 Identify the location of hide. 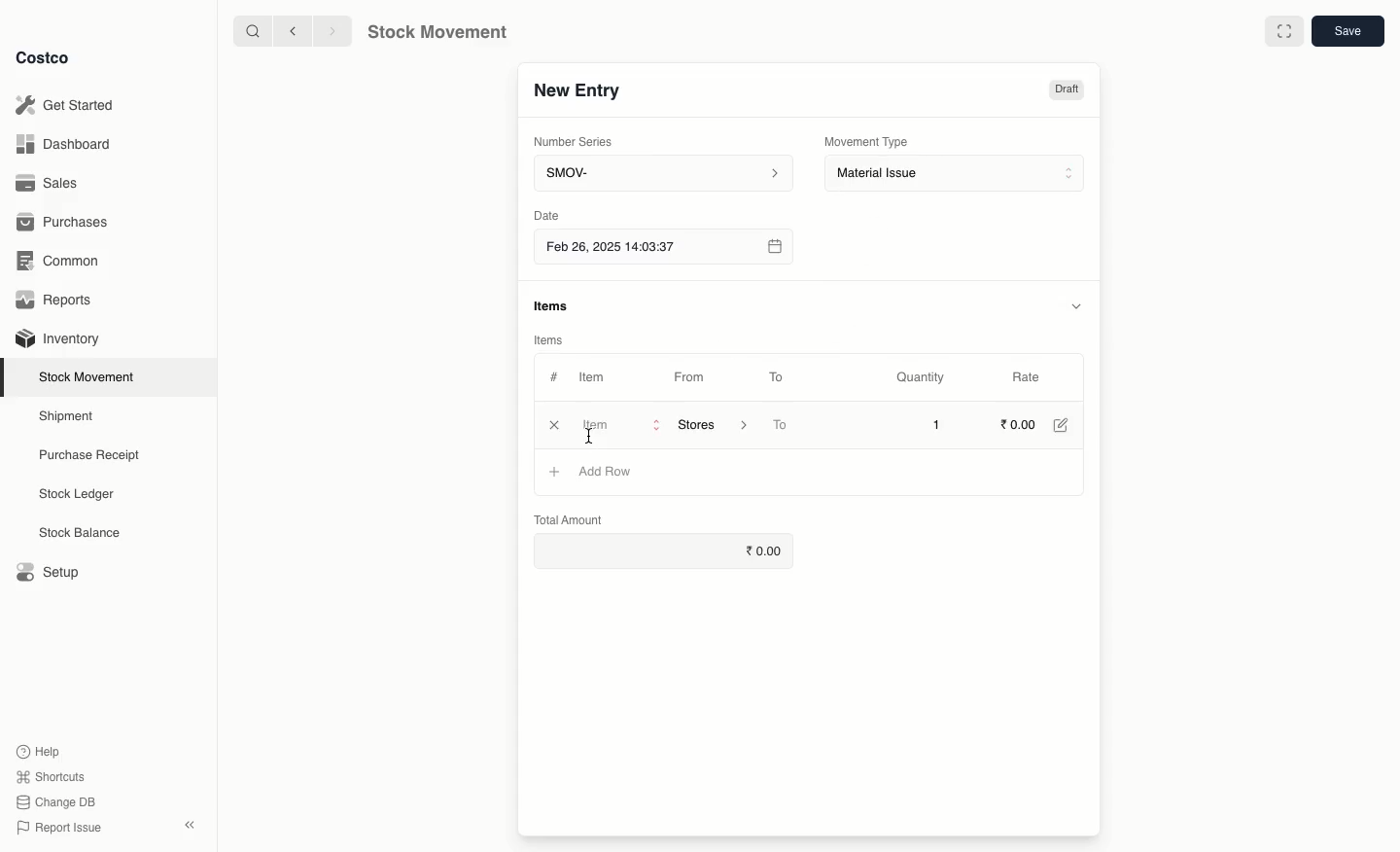
(1079, 304).